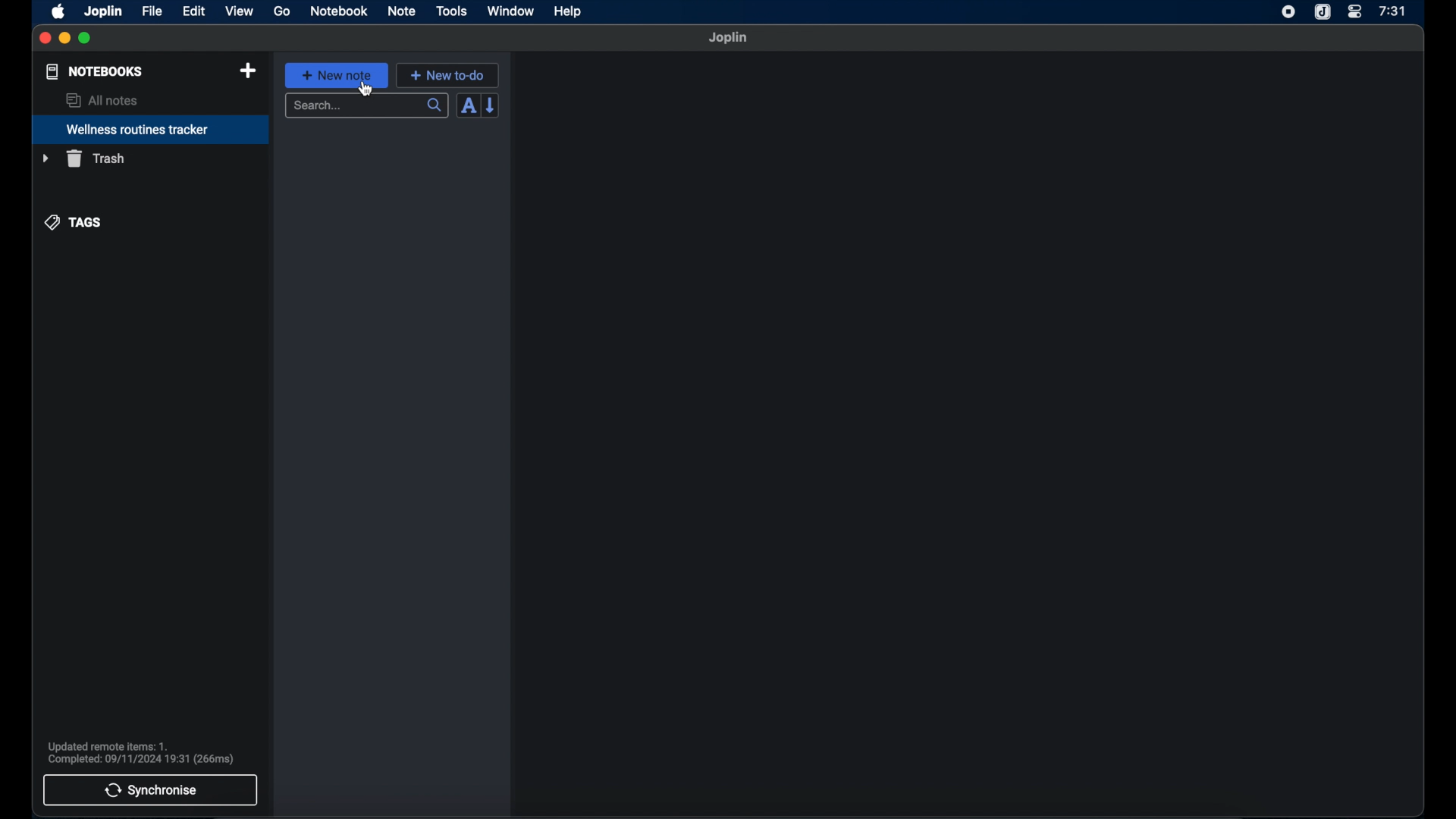 Image resolution: width=1456 pixels, height=819 pixels. Describe the element at coordinates (154, 752) in the screenshot. I see `Updated remote items: 1. Complete: 09/11/2024 19:31 (266ms)` at that location.